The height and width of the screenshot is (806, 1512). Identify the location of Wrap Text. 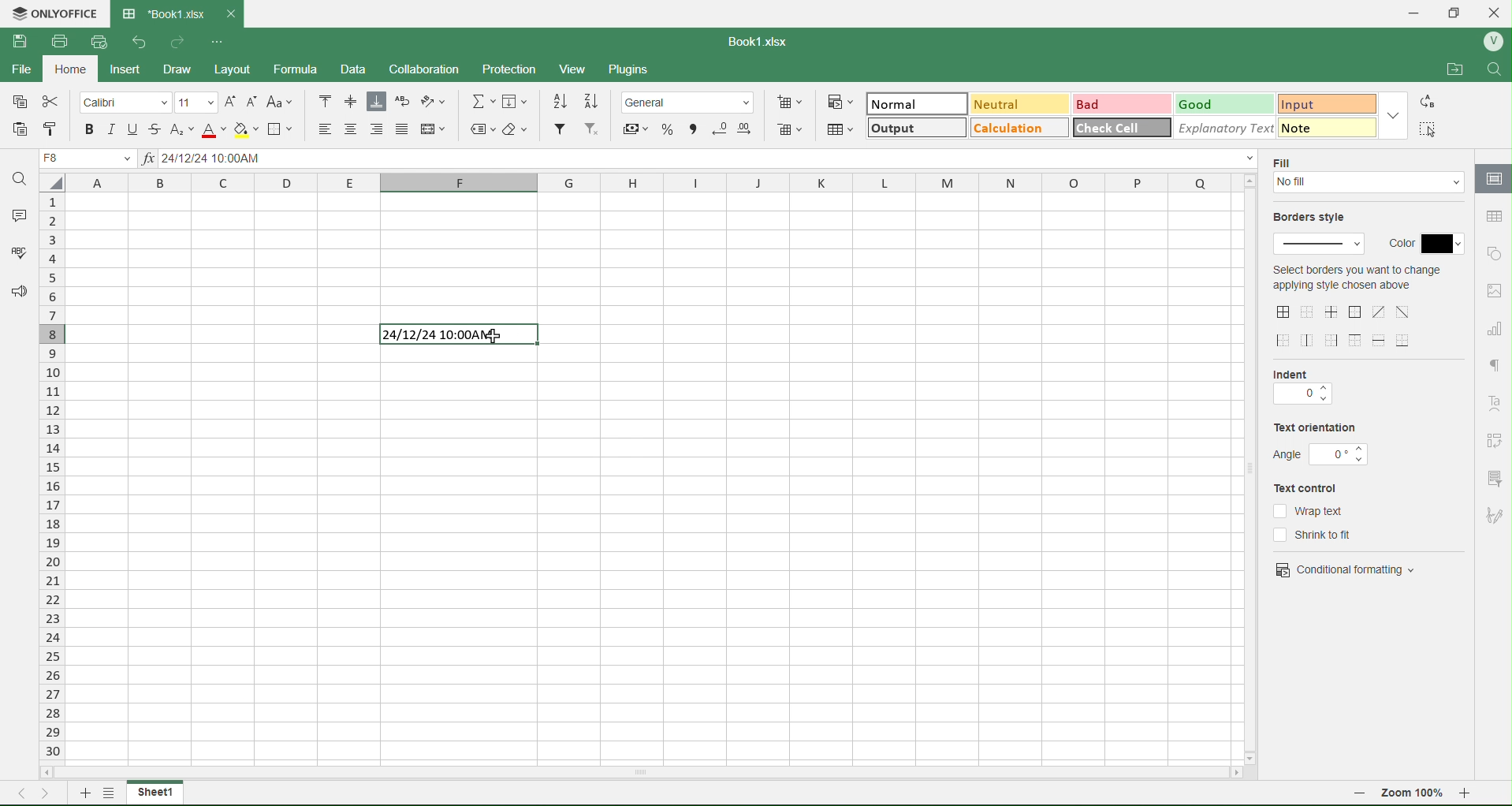
(402, 103).